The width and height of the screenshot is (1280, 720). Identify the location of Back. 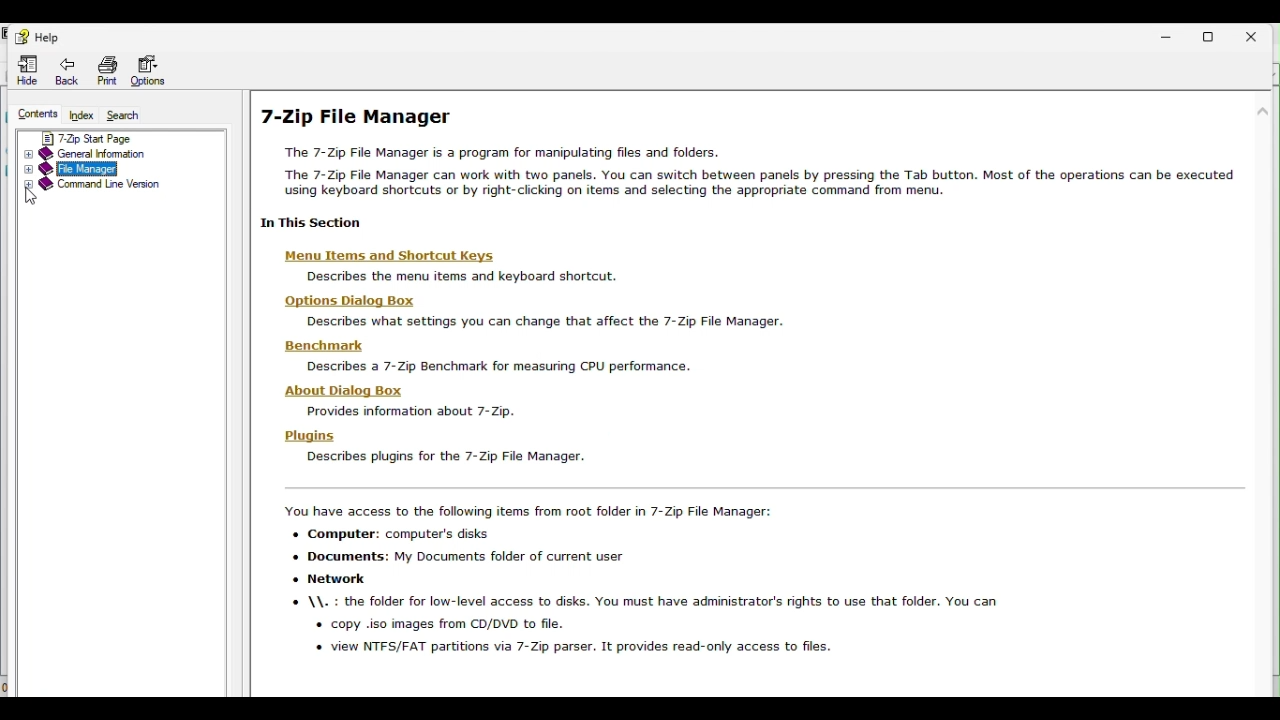
(68, 67).